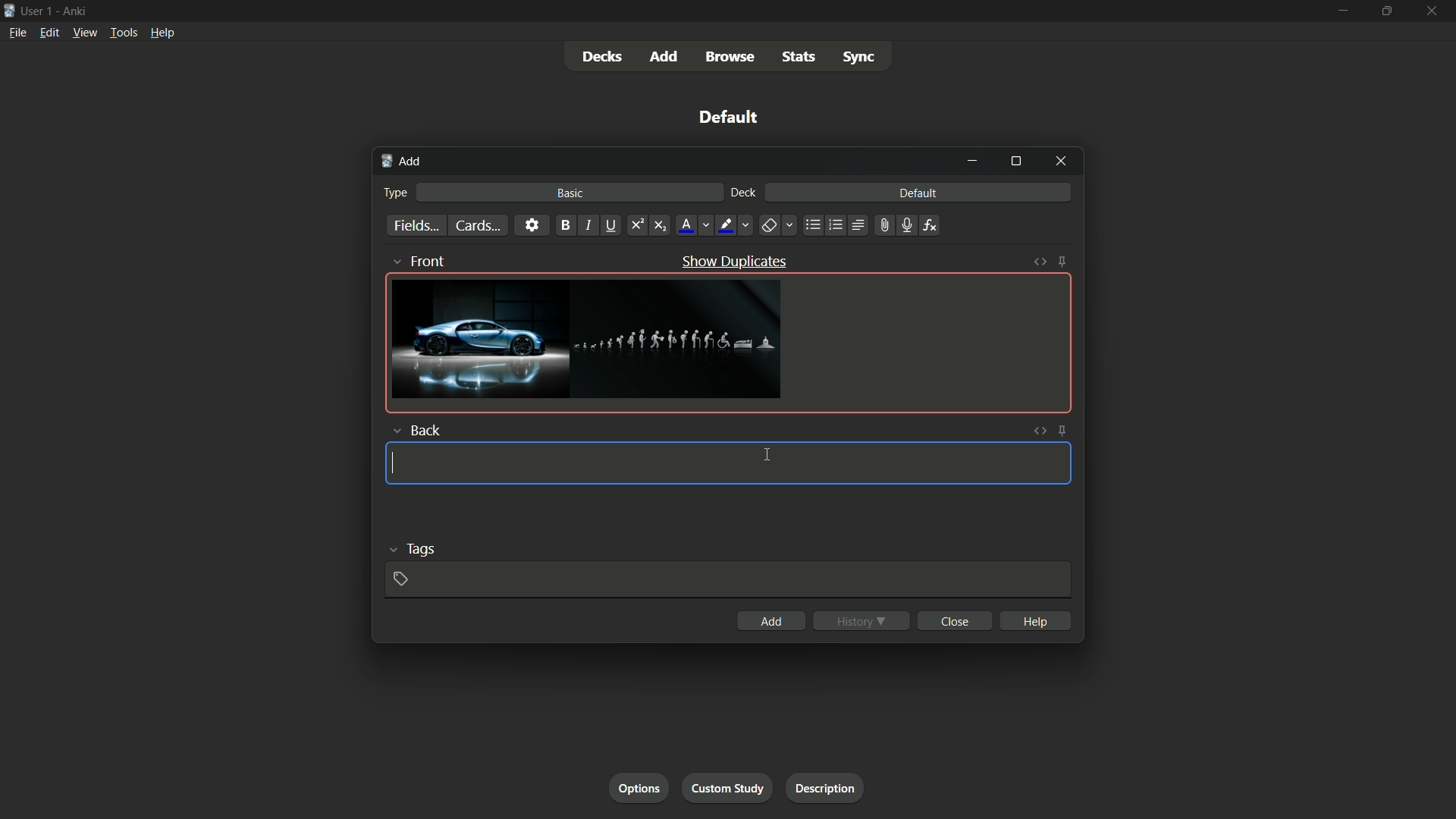 The height and width of the screenshot is (819, 1456). I want to click on deck name, so click(732, 118).